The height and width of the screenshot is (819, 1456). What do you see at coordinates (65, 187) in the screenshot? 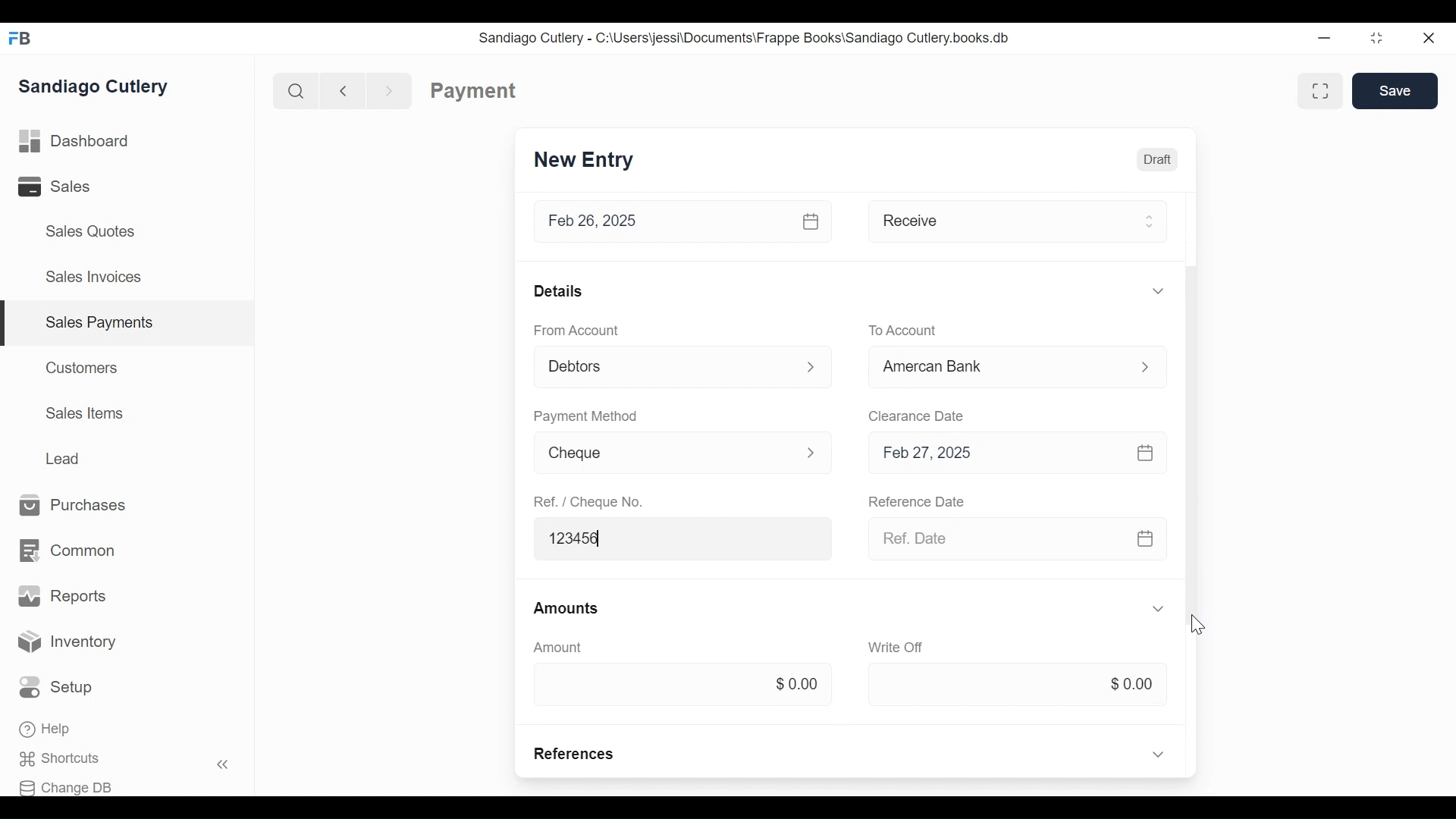
I see `Sales` at bounding box center [65, 187].